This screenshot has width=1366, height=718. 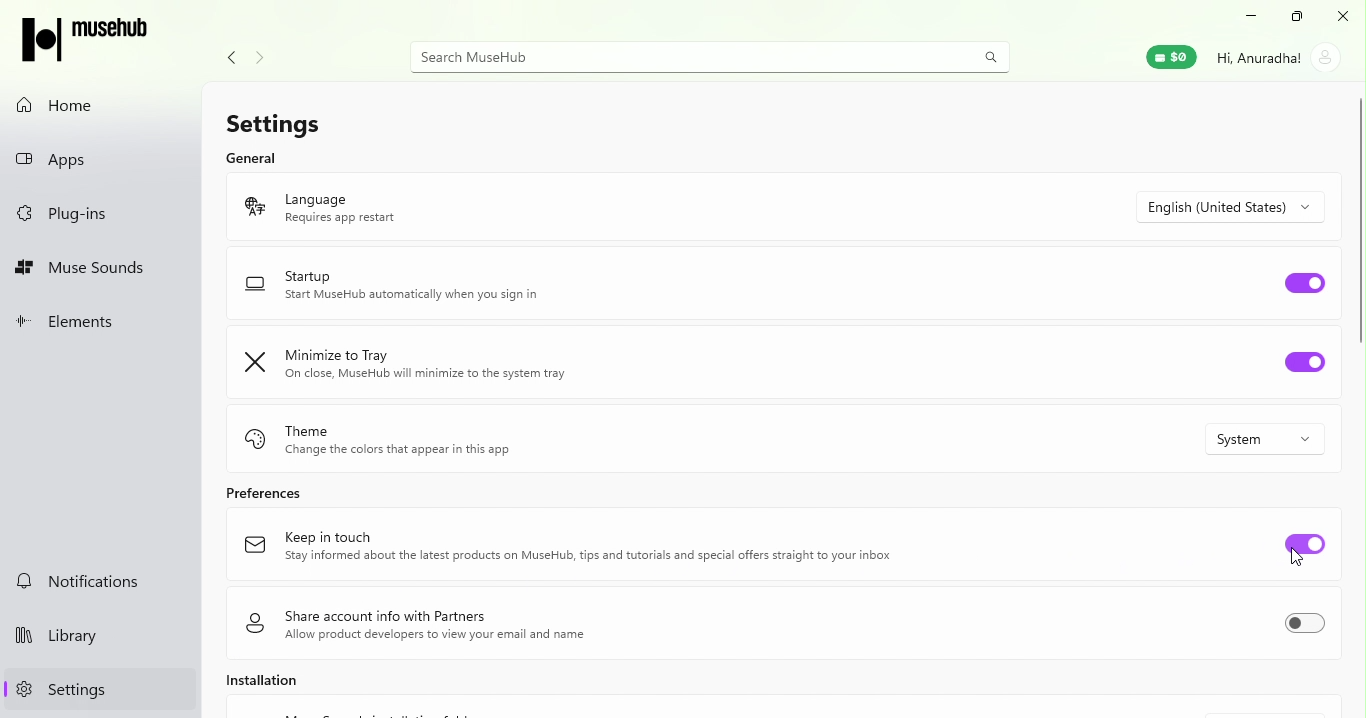 I want to click on Language, so click(x=507, y=206).